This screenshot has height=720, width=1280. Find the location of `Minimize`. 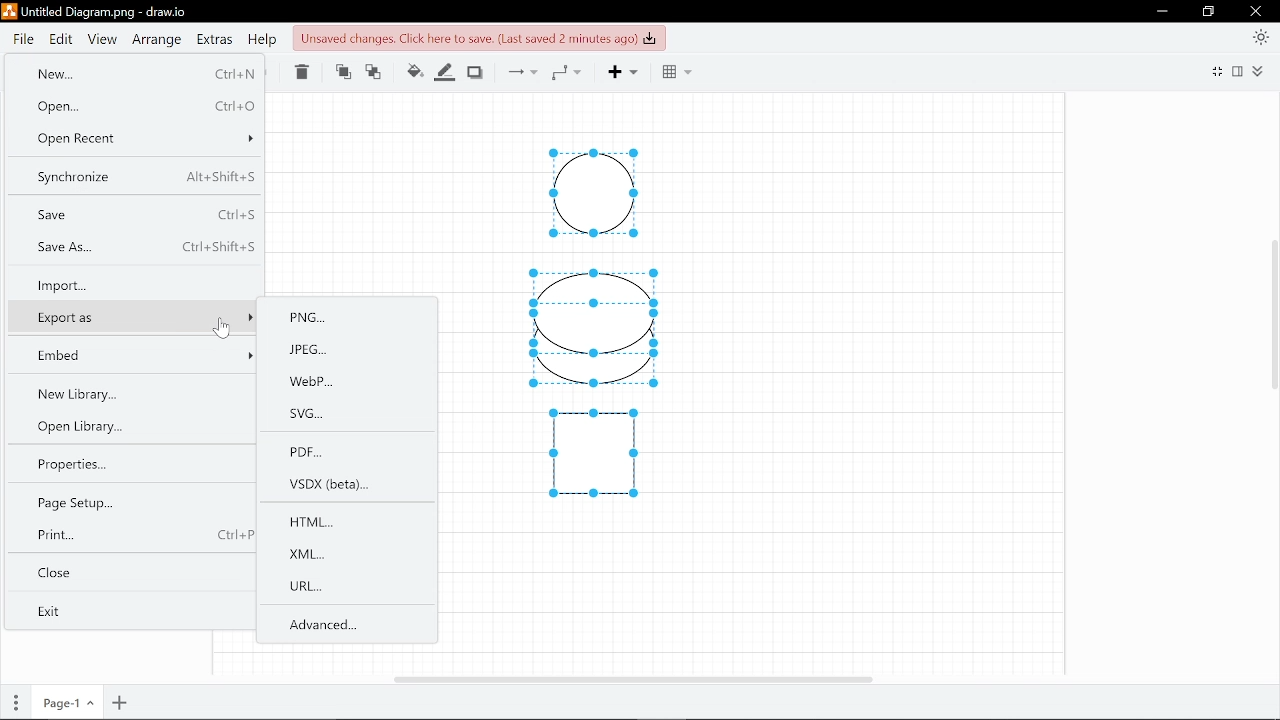

Minimize is located at coordinates (1162, 12).